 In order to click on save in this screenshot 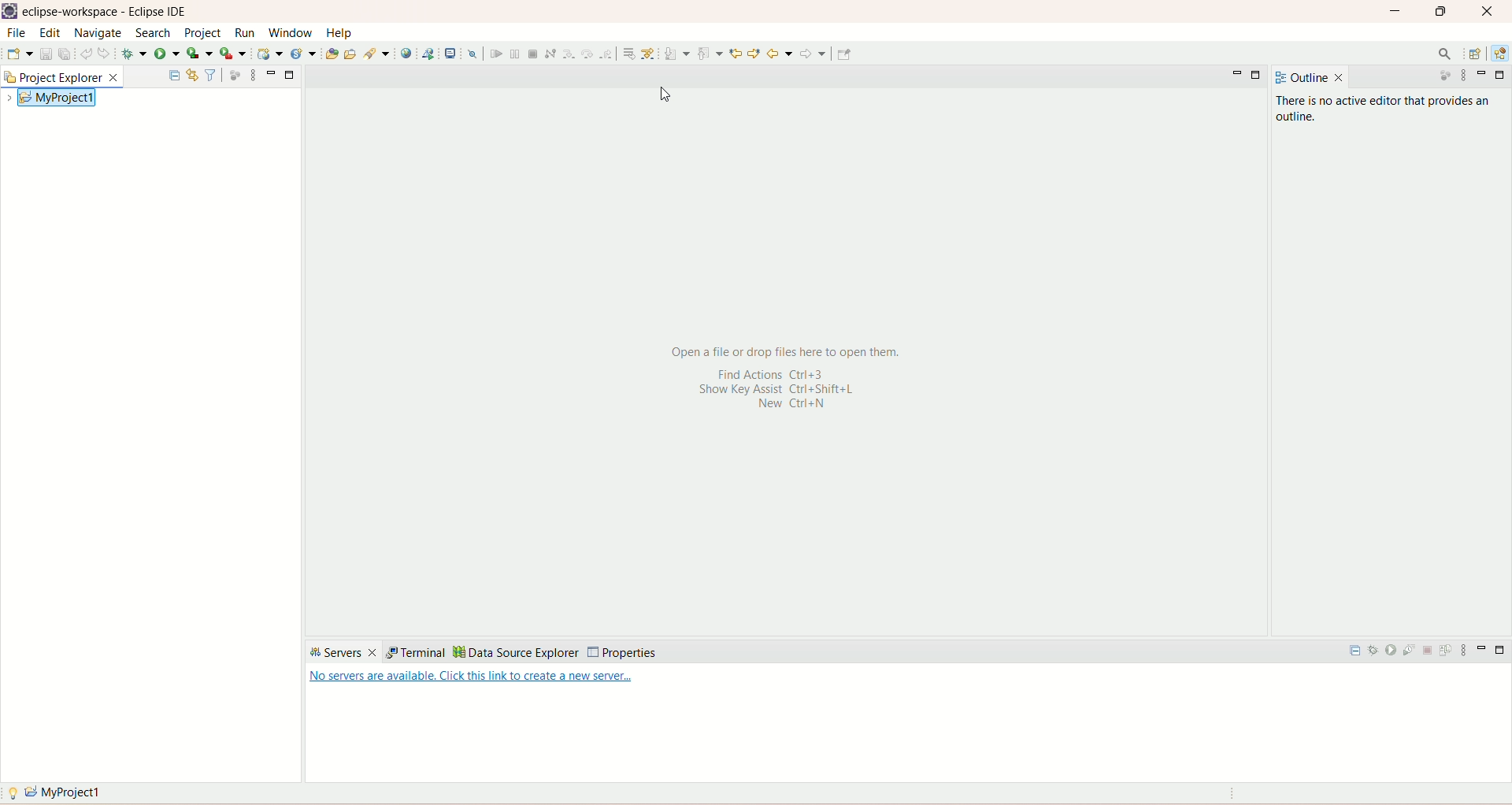, I will do `click(45, 54)`.